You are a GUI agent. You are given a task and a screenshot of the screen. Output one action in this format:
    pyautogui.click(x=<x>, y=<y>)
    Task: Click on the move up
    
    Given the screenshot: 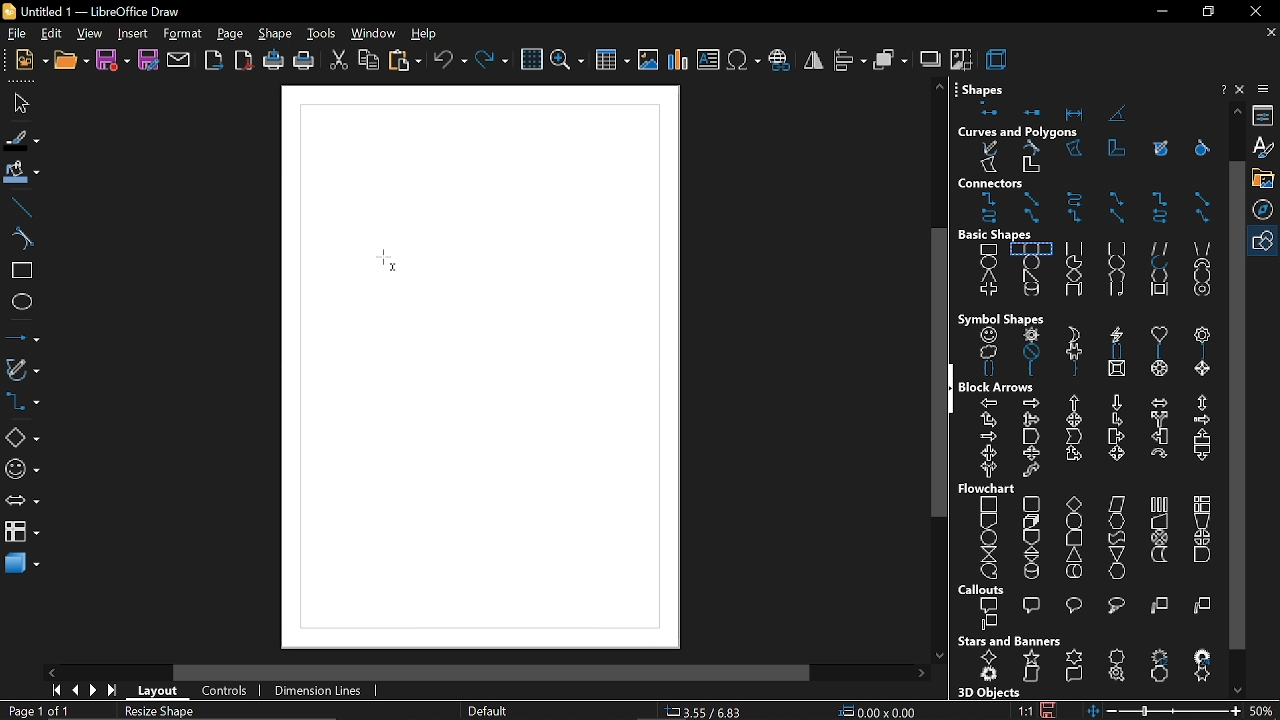 What is the action you would take?
    pyautogui.click(x=1238, y=110)
    